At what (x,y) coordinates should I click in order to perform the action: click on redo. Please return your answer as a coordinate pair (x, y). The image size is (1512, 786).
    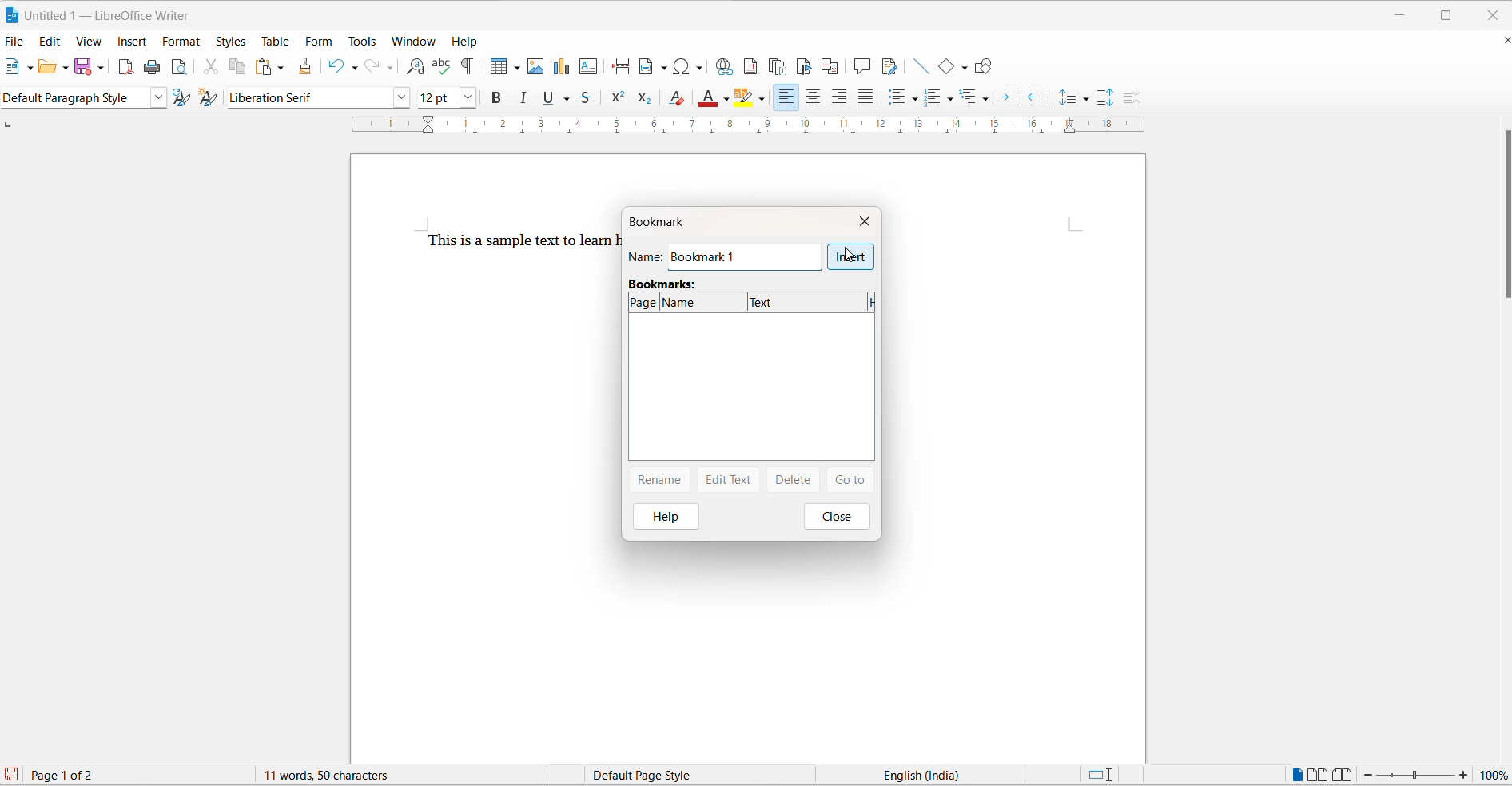
    Looking at the image, I should click on (373, 67).